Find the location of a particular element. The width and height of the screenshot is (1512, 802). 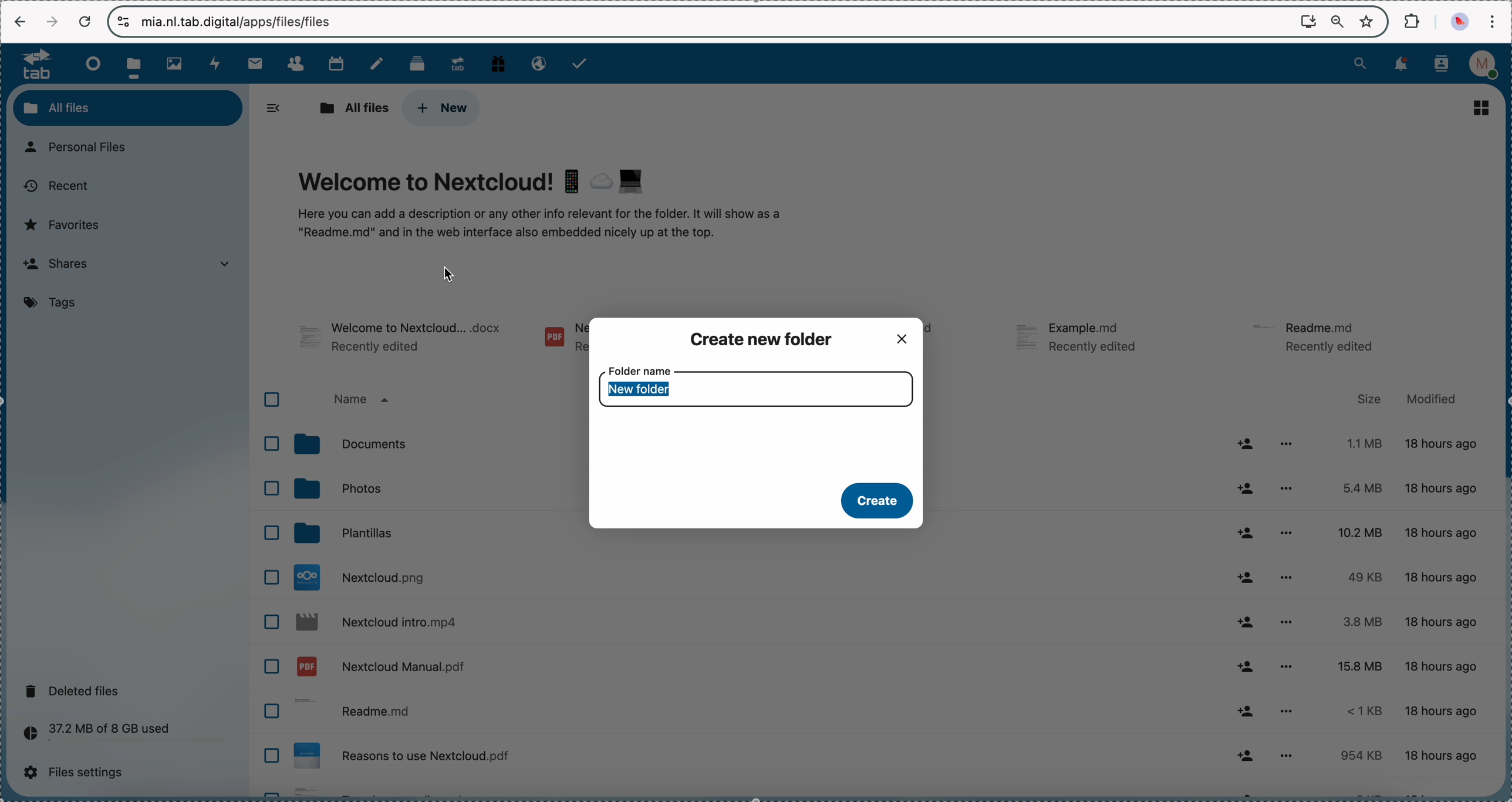

tasks is located at coordinates (581, 63).